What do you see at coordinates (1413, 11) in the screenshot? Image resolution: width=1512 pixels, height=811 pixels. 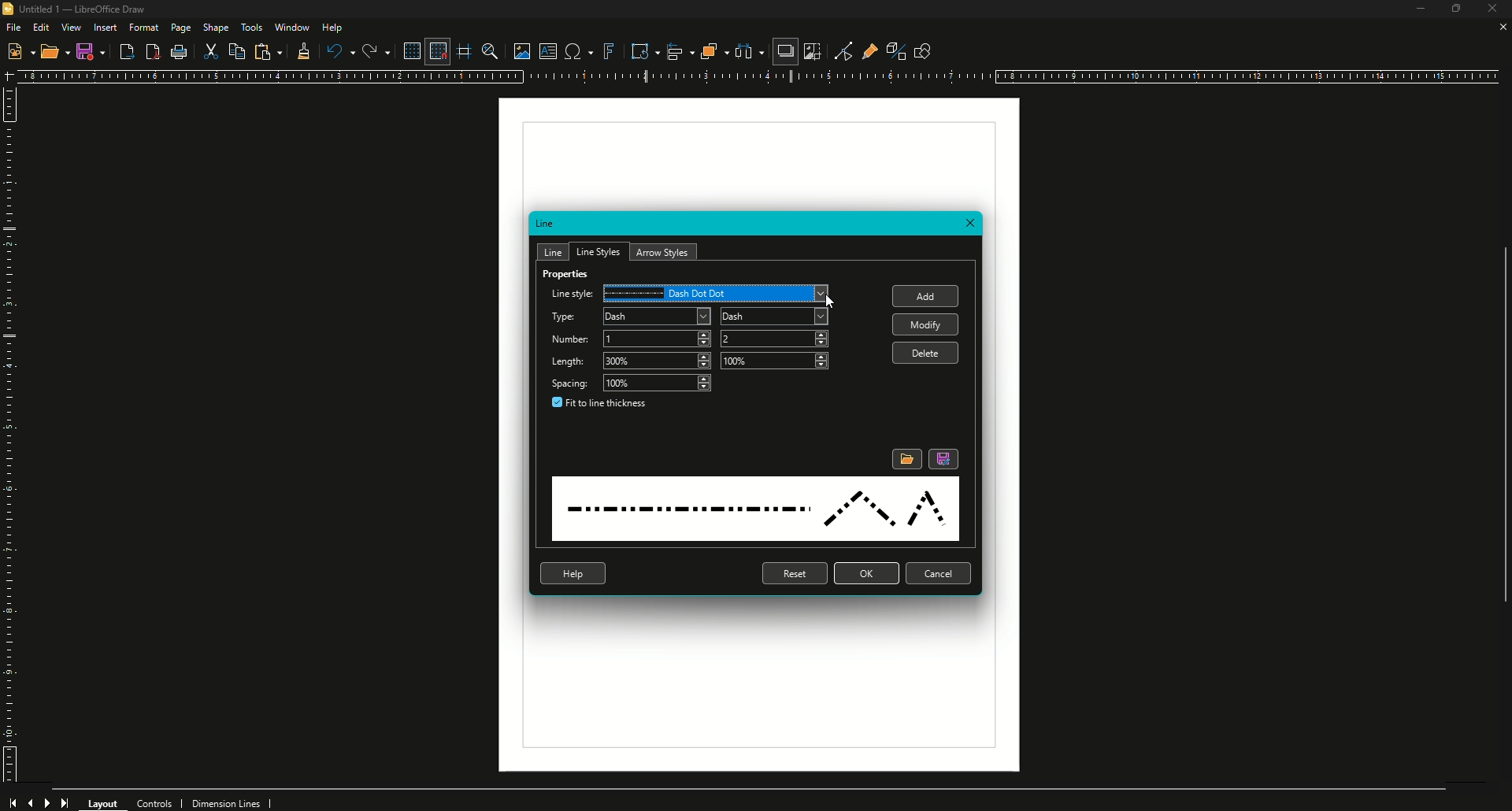 I see `Minimize` at bounding box center [1413, 11].